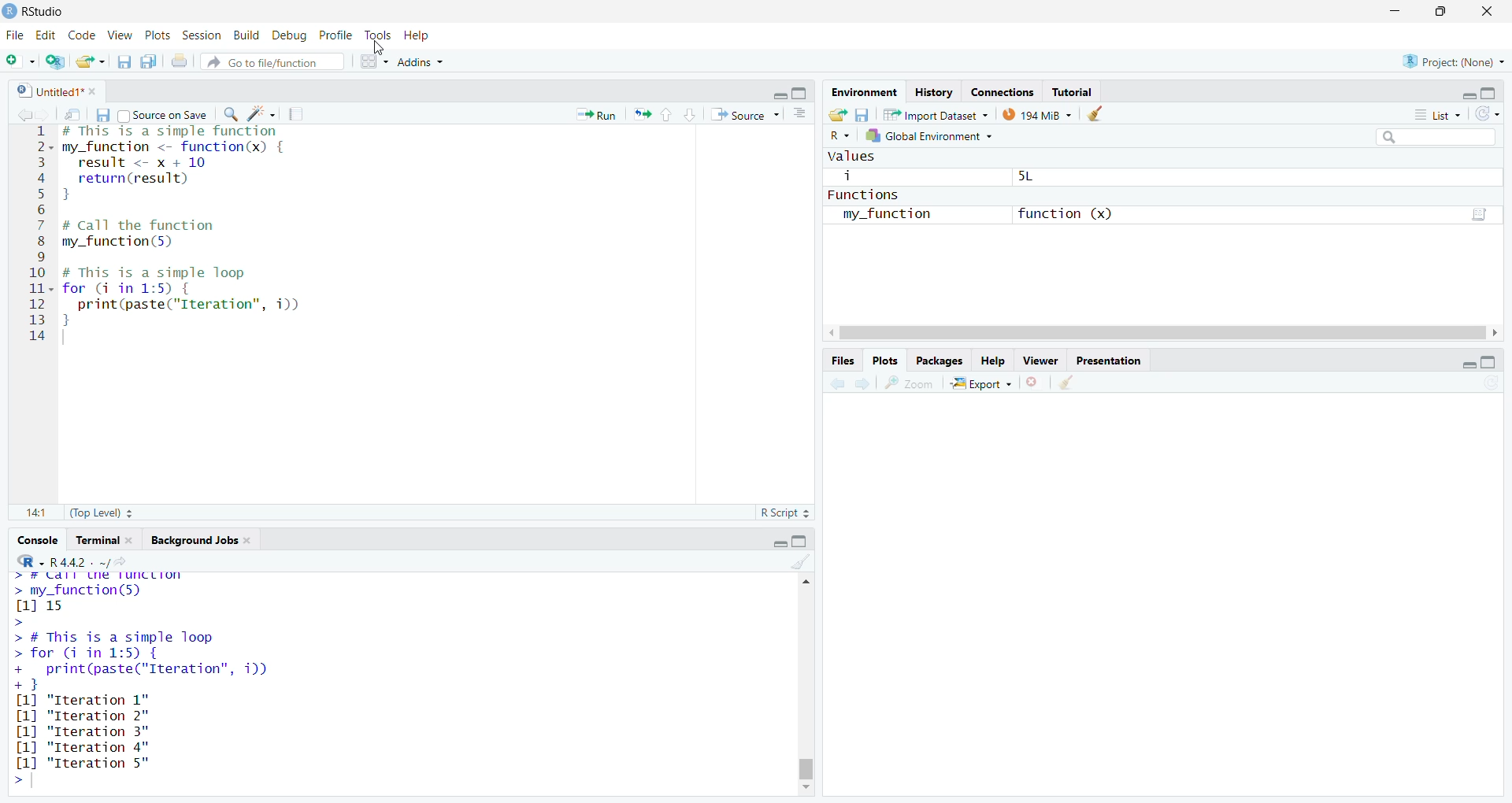 This screenshot has height=803, width=1512. I want to click on language select, so click(839, 137).